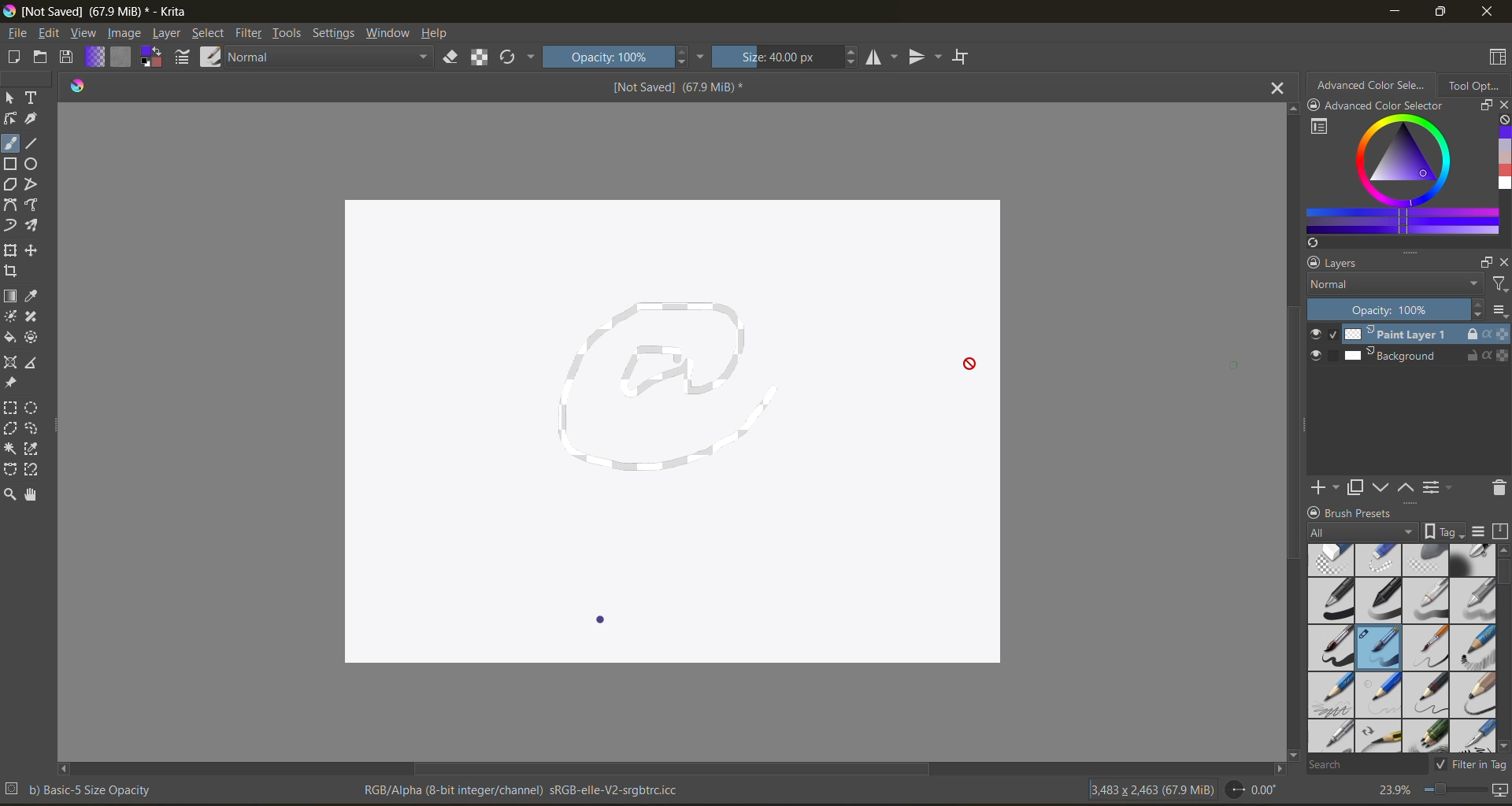  Describe the element at coordinates (881, 56) in the screenshot. I see `flip horizontally` at that location.